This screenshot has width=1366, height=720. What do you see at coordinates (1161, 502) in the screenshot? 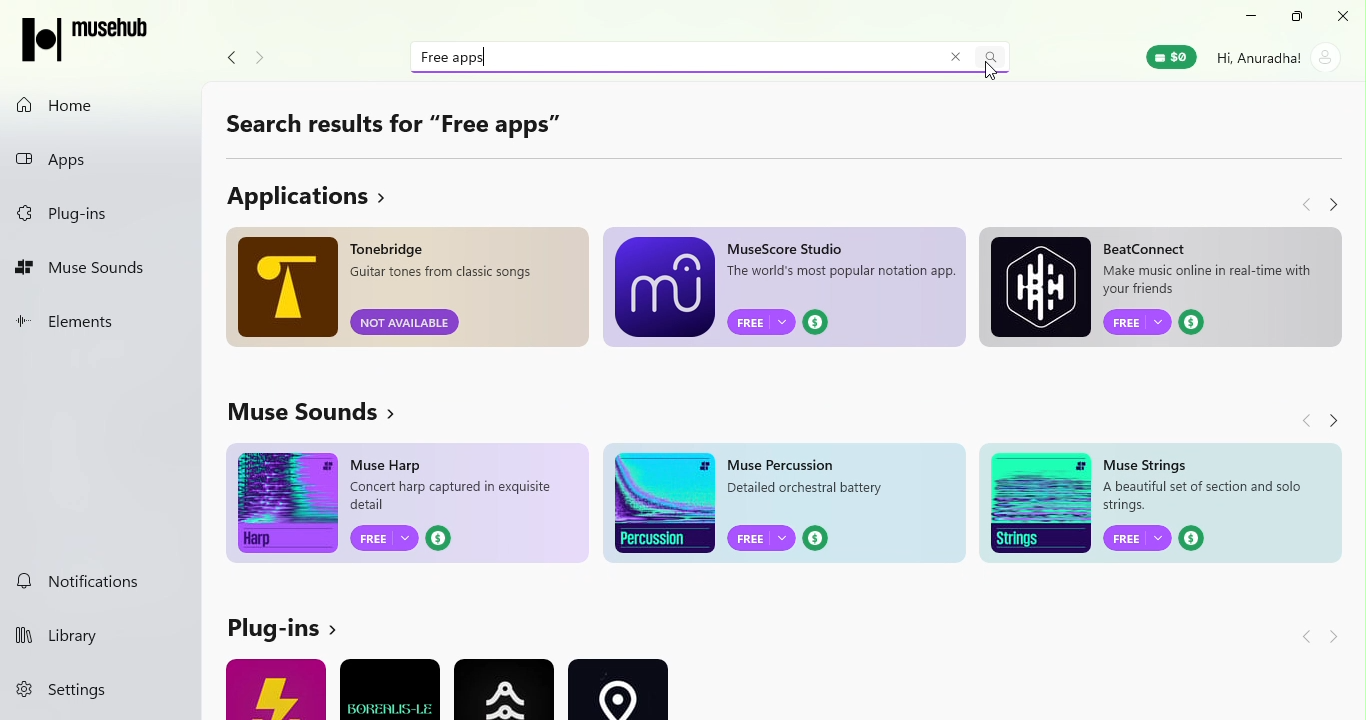
I see `Ad` at bounding box center [1161, 502].